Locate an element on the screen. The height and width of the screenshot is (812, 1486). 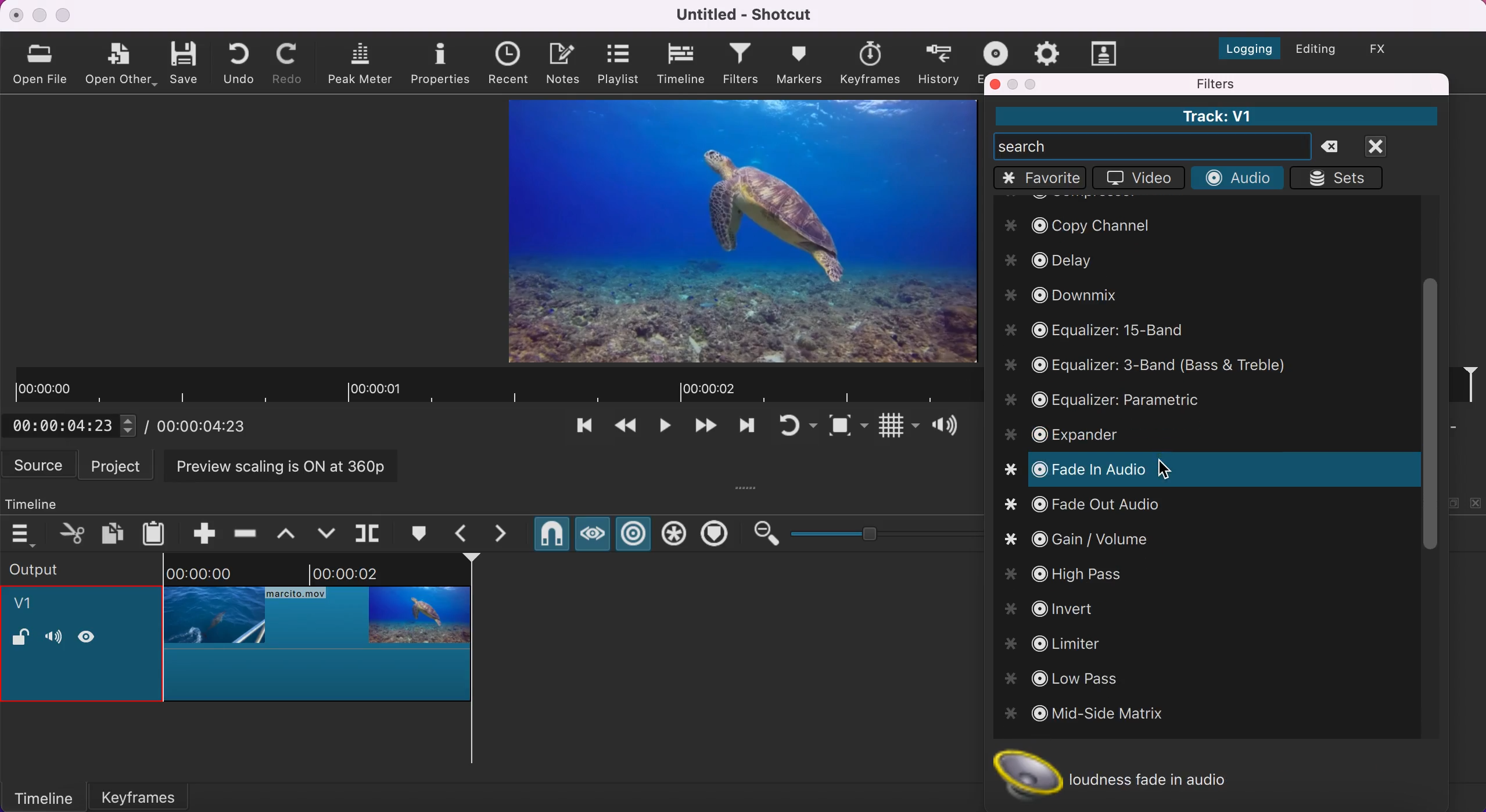
switch to the logging layout is located at coordinates (1243, 45).